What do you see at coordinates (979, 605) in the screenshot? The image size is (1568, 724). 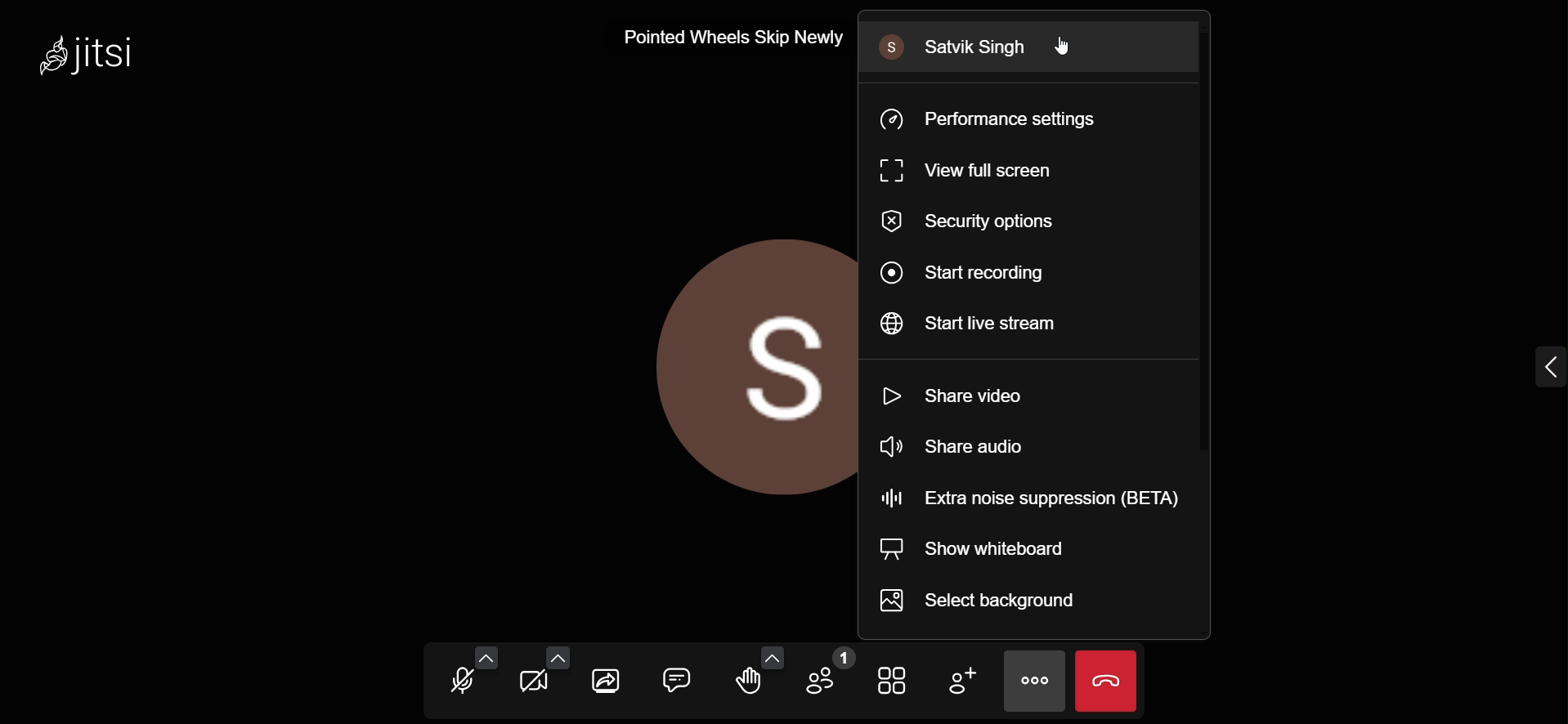 I see `select background` at bounding box center [979, 605].